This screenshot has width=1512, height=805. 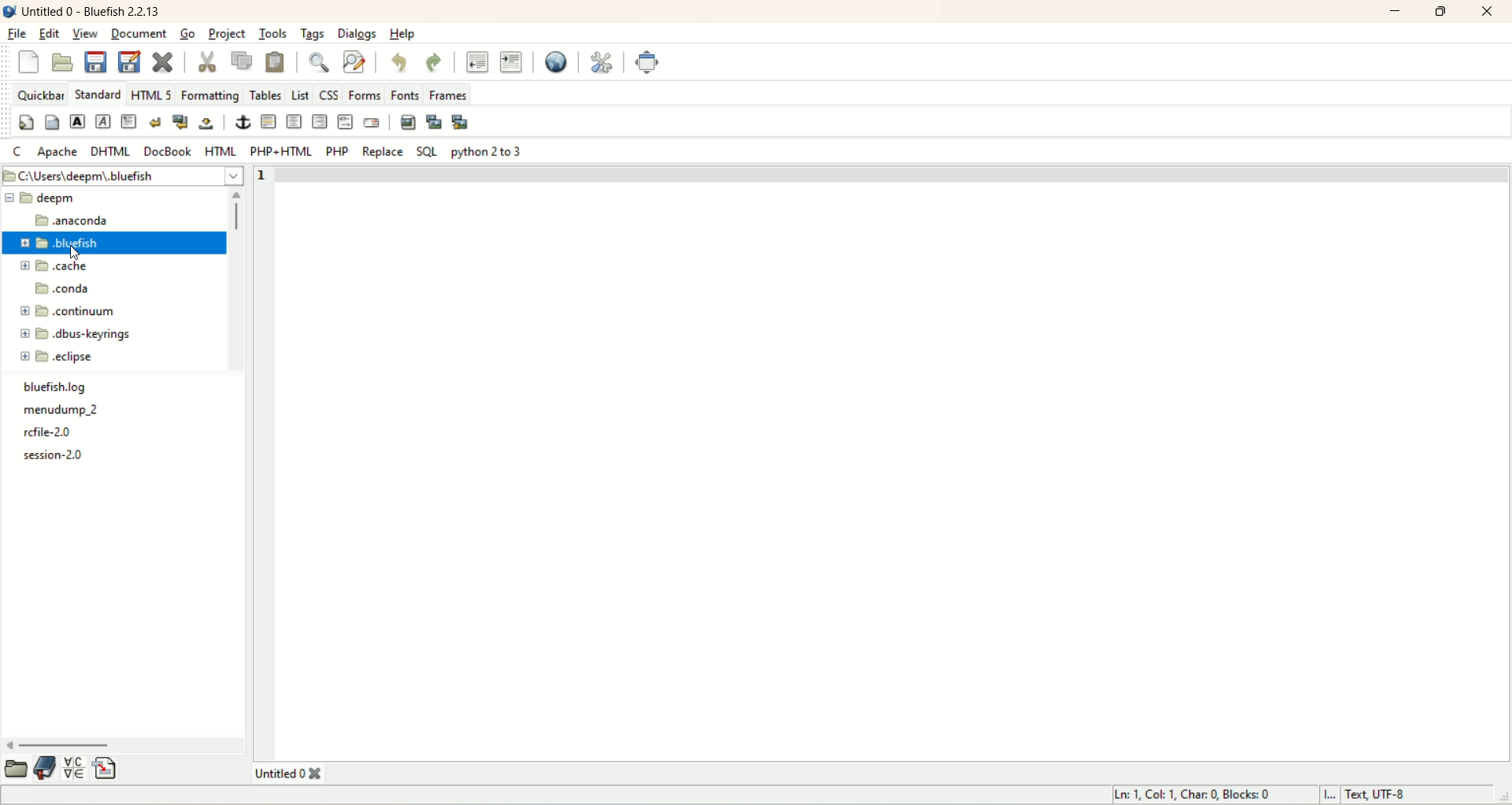 What do you see at coordinates (76, 254) in the screenshot?
I see `cursor` at bounding box center [76, 254].